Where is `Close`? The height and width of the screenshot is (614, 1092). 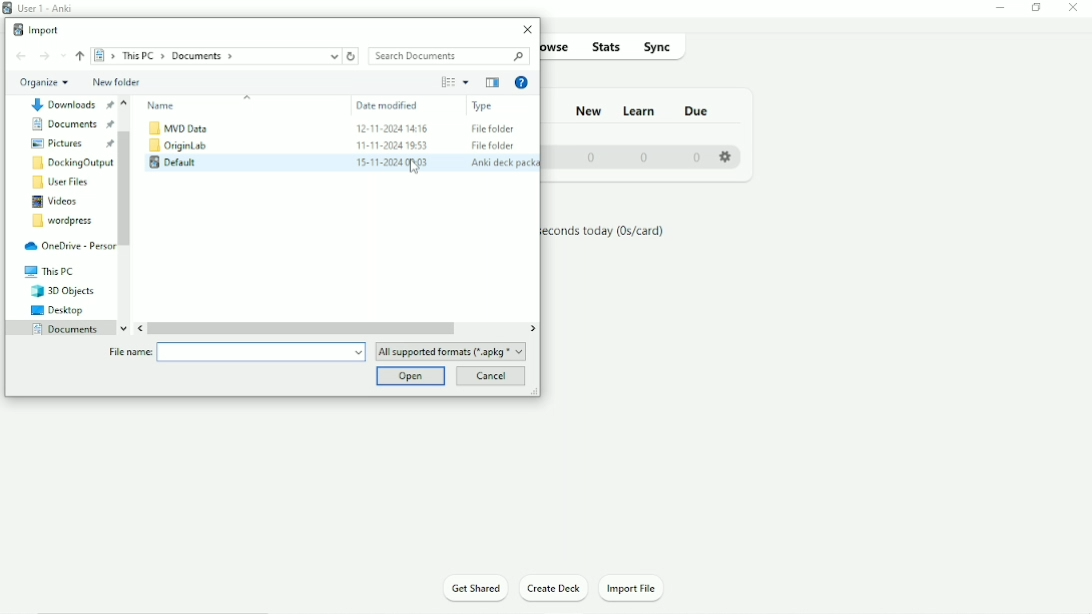
Close is located at coordinates (1074, 8).